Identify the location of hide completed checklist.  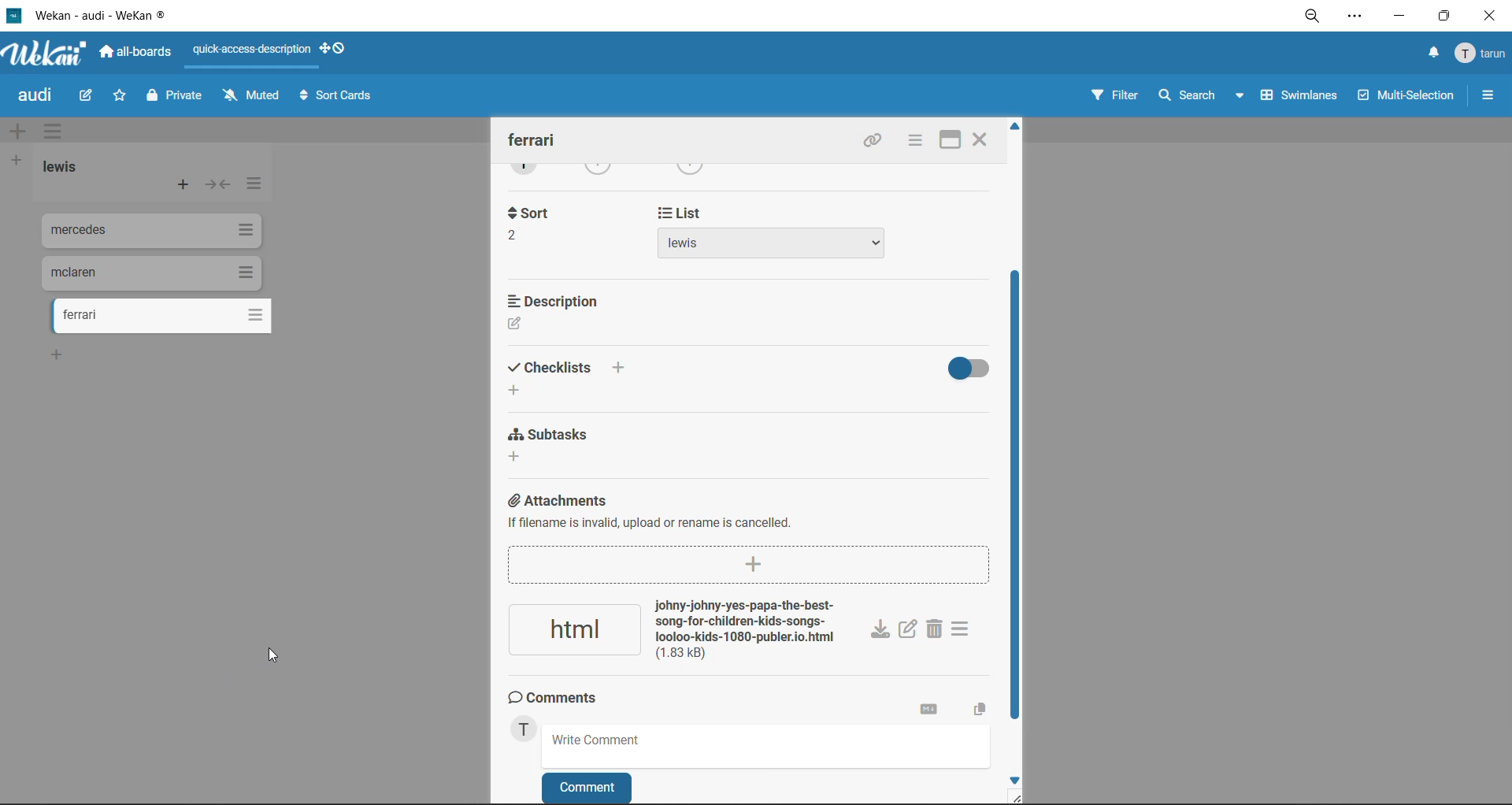
(973, 365).